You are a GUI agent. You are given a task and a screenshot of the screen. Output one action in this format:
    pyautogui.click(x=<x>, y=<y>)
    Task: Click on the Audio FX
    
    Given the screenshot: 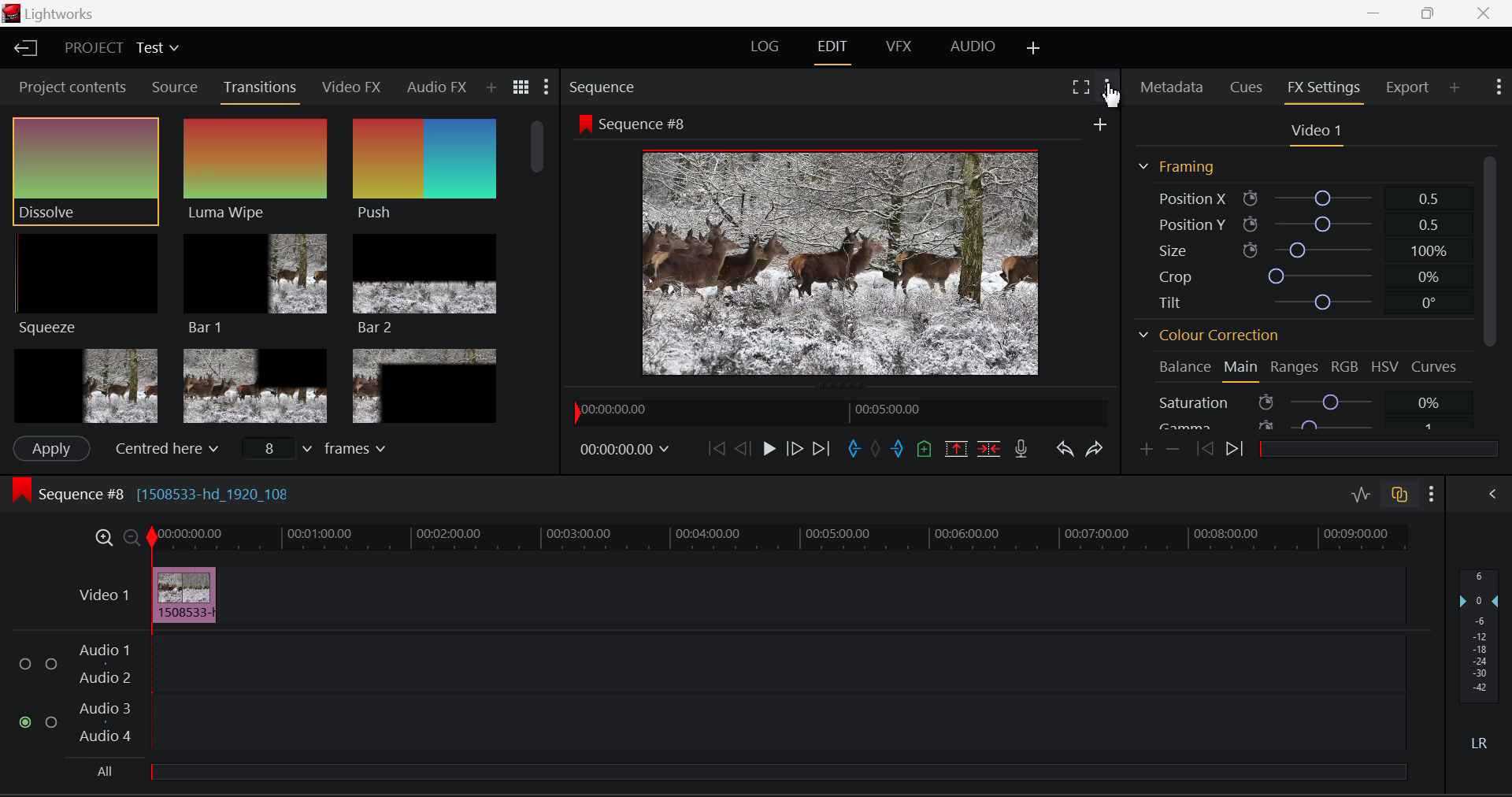 What is the action you would take?
    pyautogui.click(x=435, y=87)
    